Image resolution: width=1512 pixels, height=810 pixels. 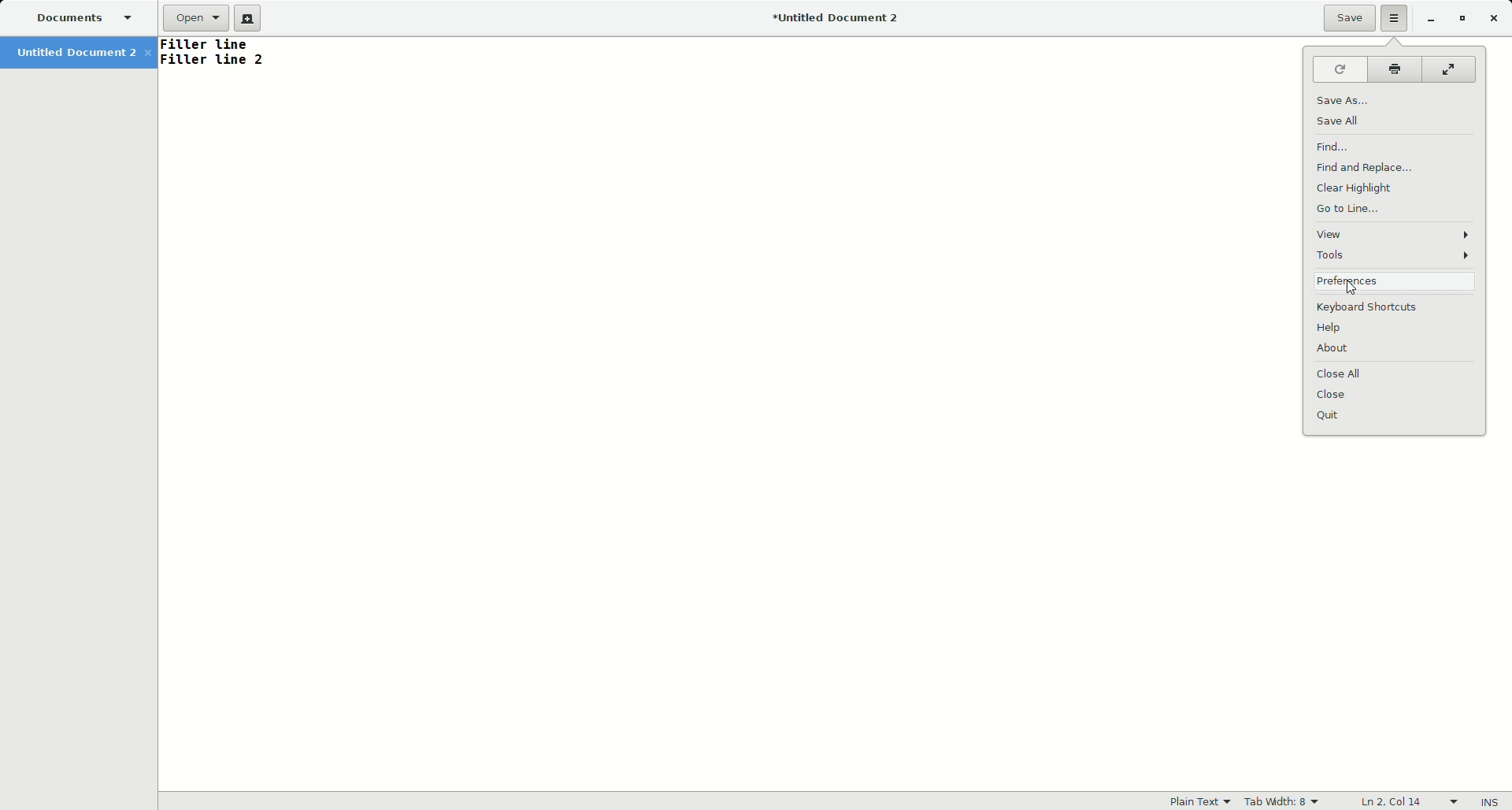 What do you see at coordinates (1341, 100) in the screenshot?
I see `Save as` at bounding box center [1341, 100].